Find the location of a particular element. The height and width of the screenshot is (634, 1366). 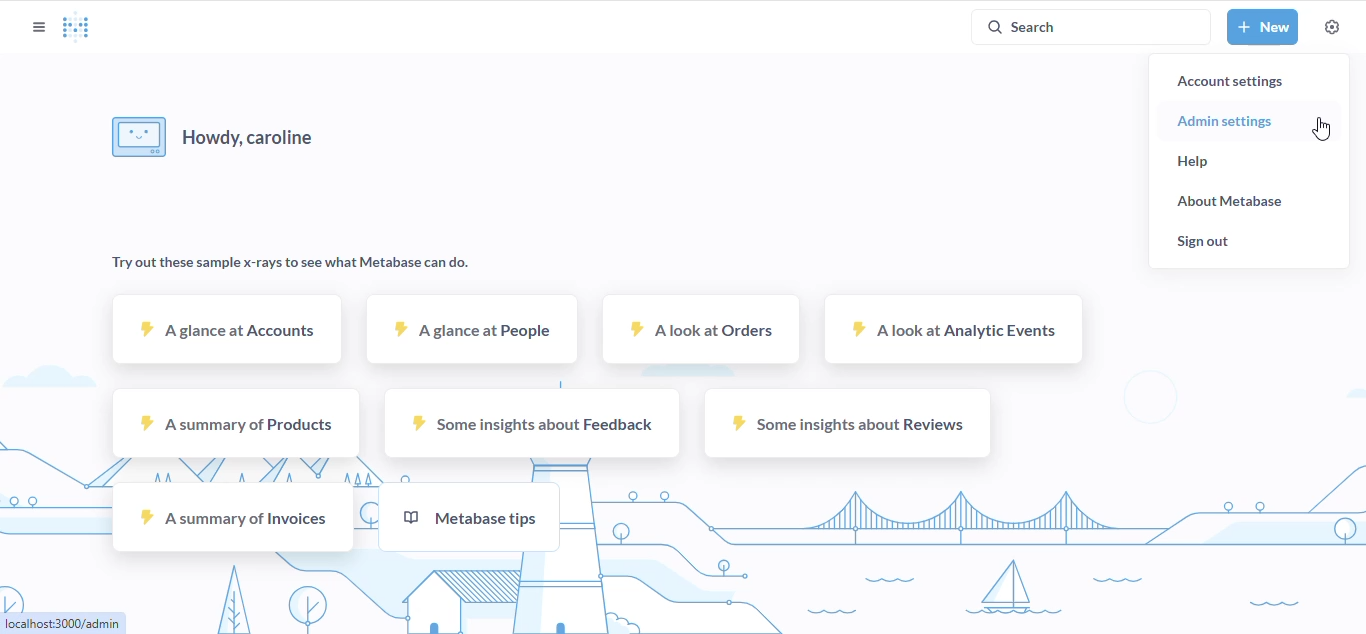

settings is located at coordinates (1333, 27).